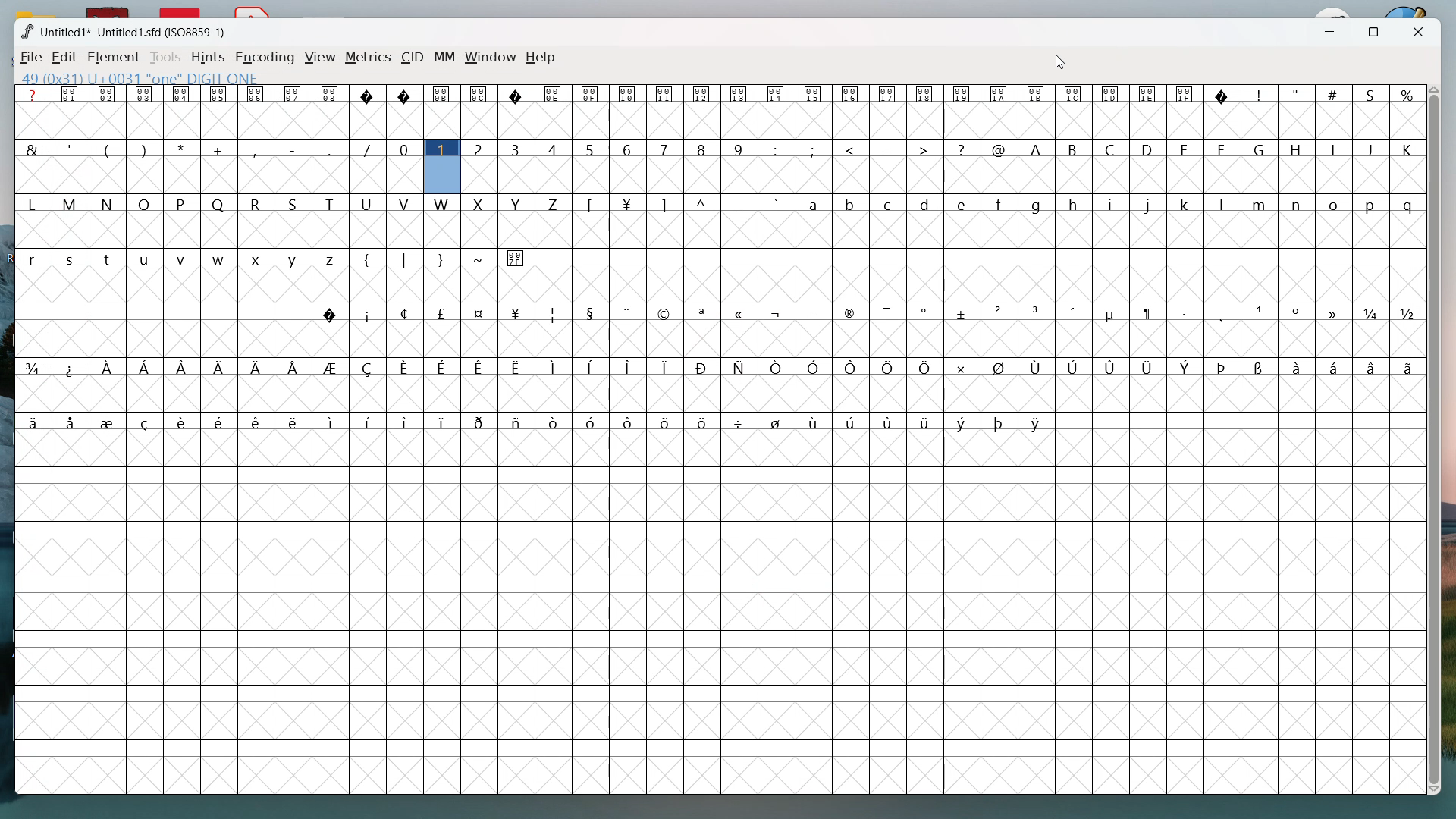 The width and height of the screenshot is (1456, 819). Describe the element at coordinates (1189, 367) in the screenshot. I see `symbol` at that location.